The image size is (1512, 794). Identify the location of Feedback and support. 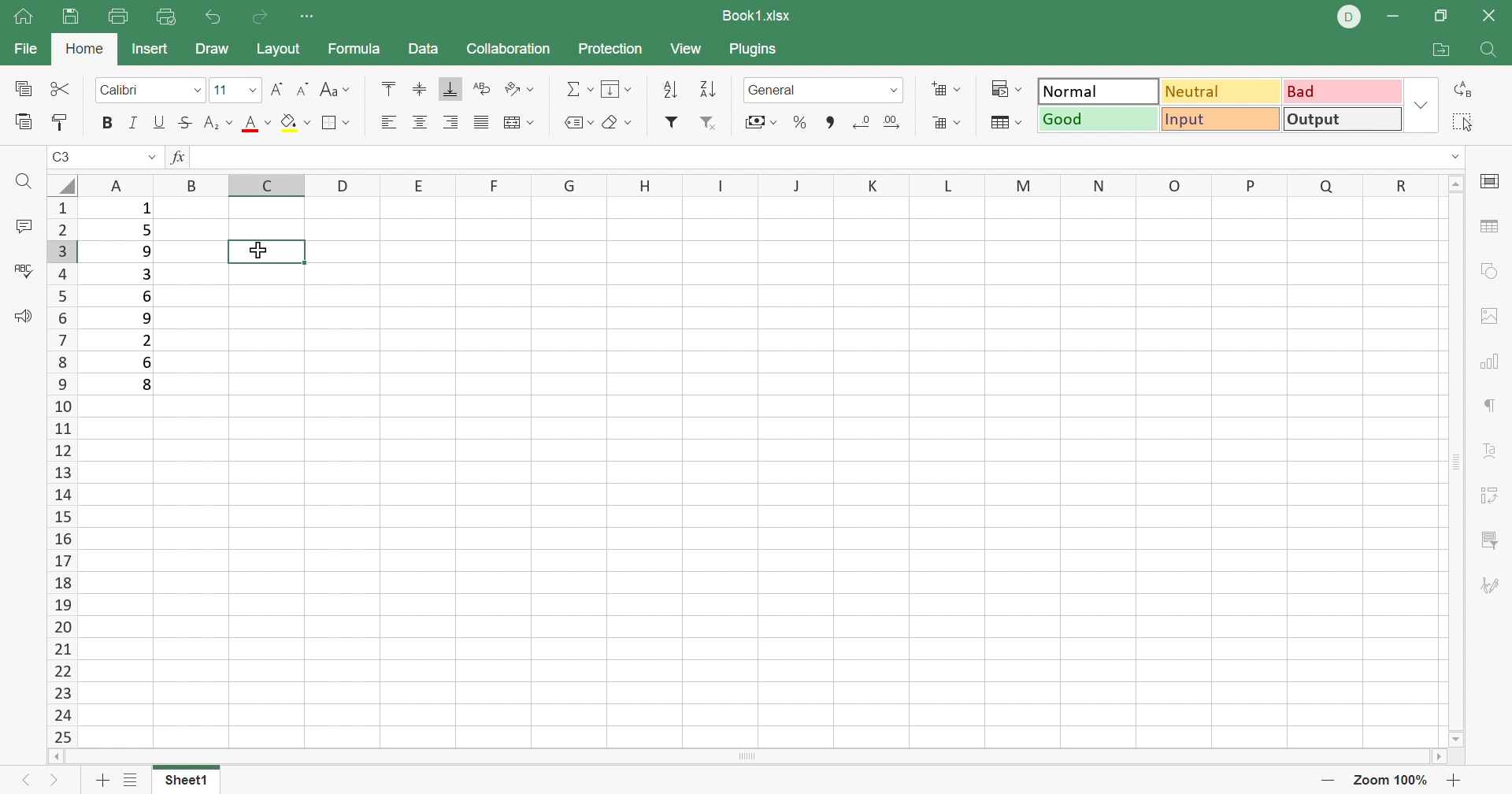
(27, 315).